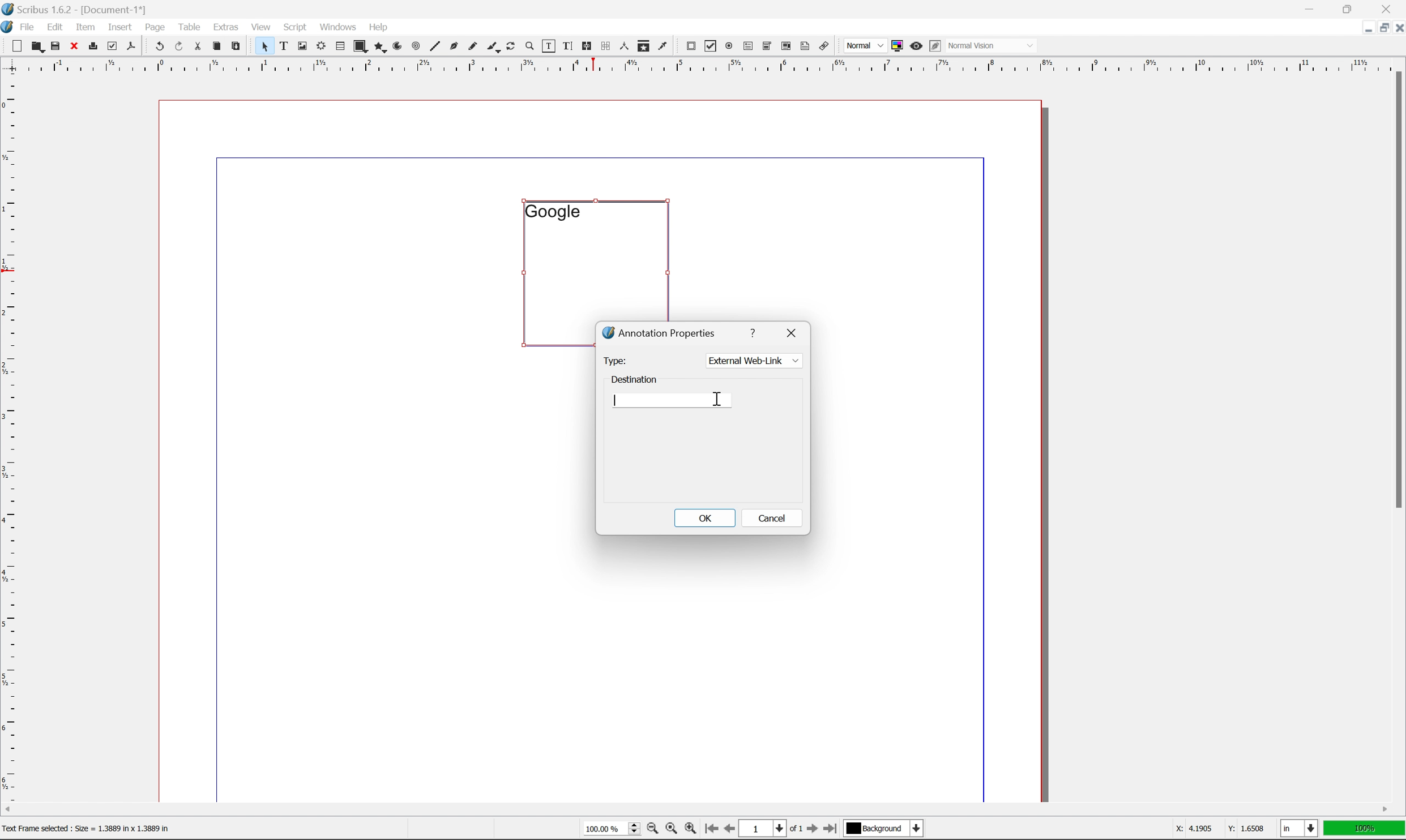  What do you see at coordinates (710, 829) in the screenshot?
I see `go to first page` at bounding box center [710, 829].